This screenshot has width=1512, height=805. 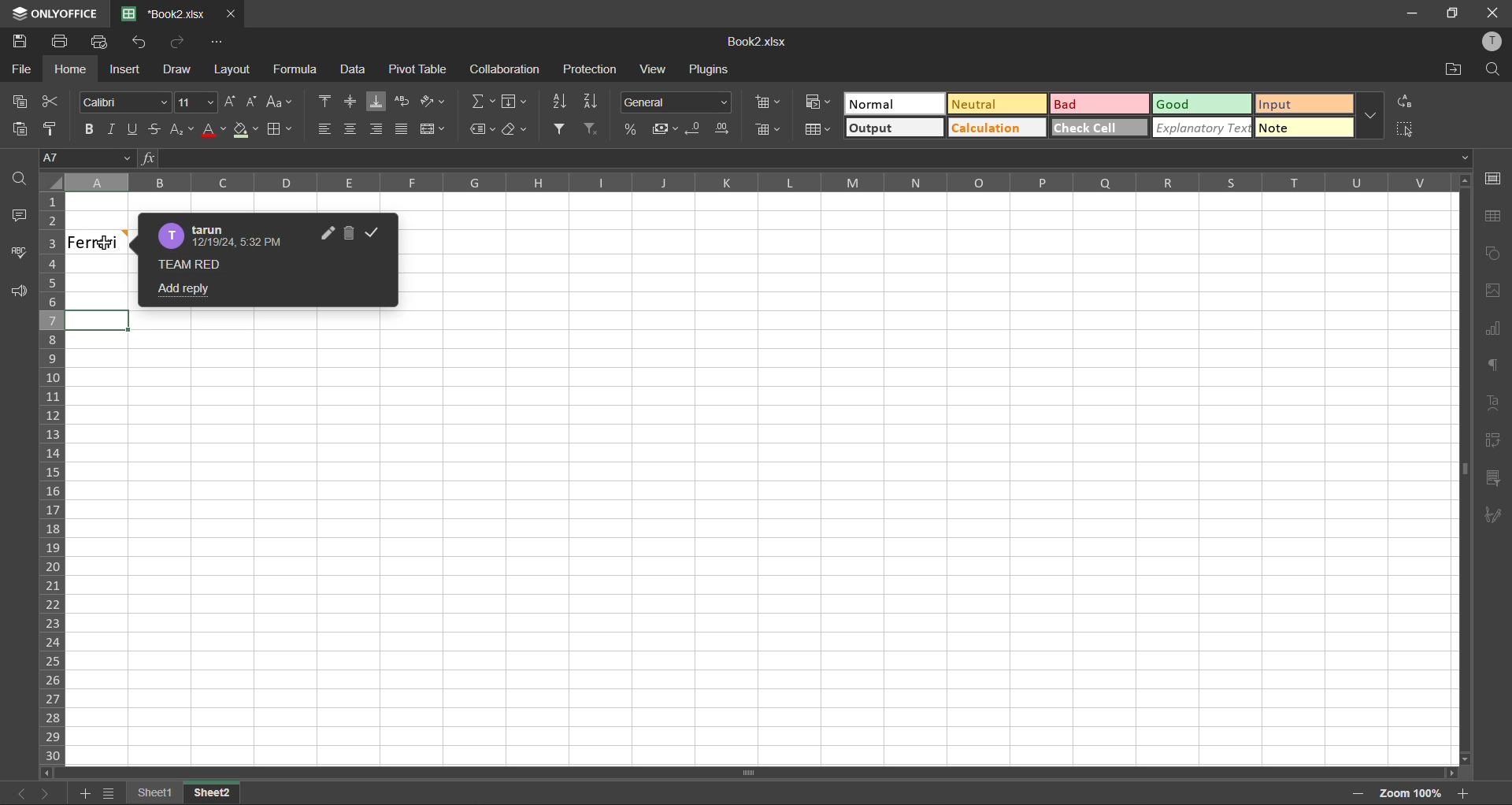 I want to click on font size, so click(x=196, y=103).